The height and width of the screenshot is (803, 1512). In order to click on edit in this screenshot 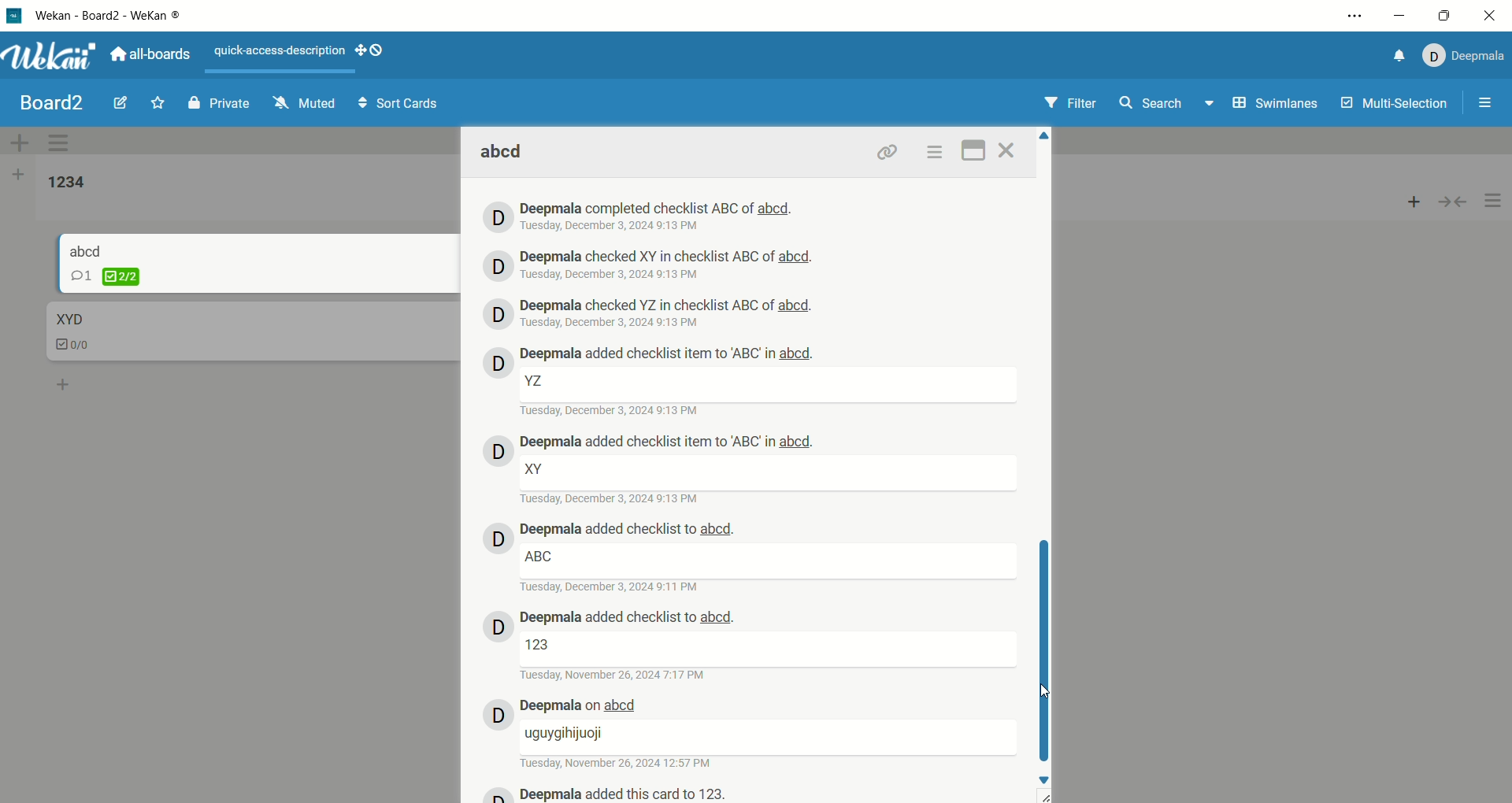, I will do `click(120, 101)`.